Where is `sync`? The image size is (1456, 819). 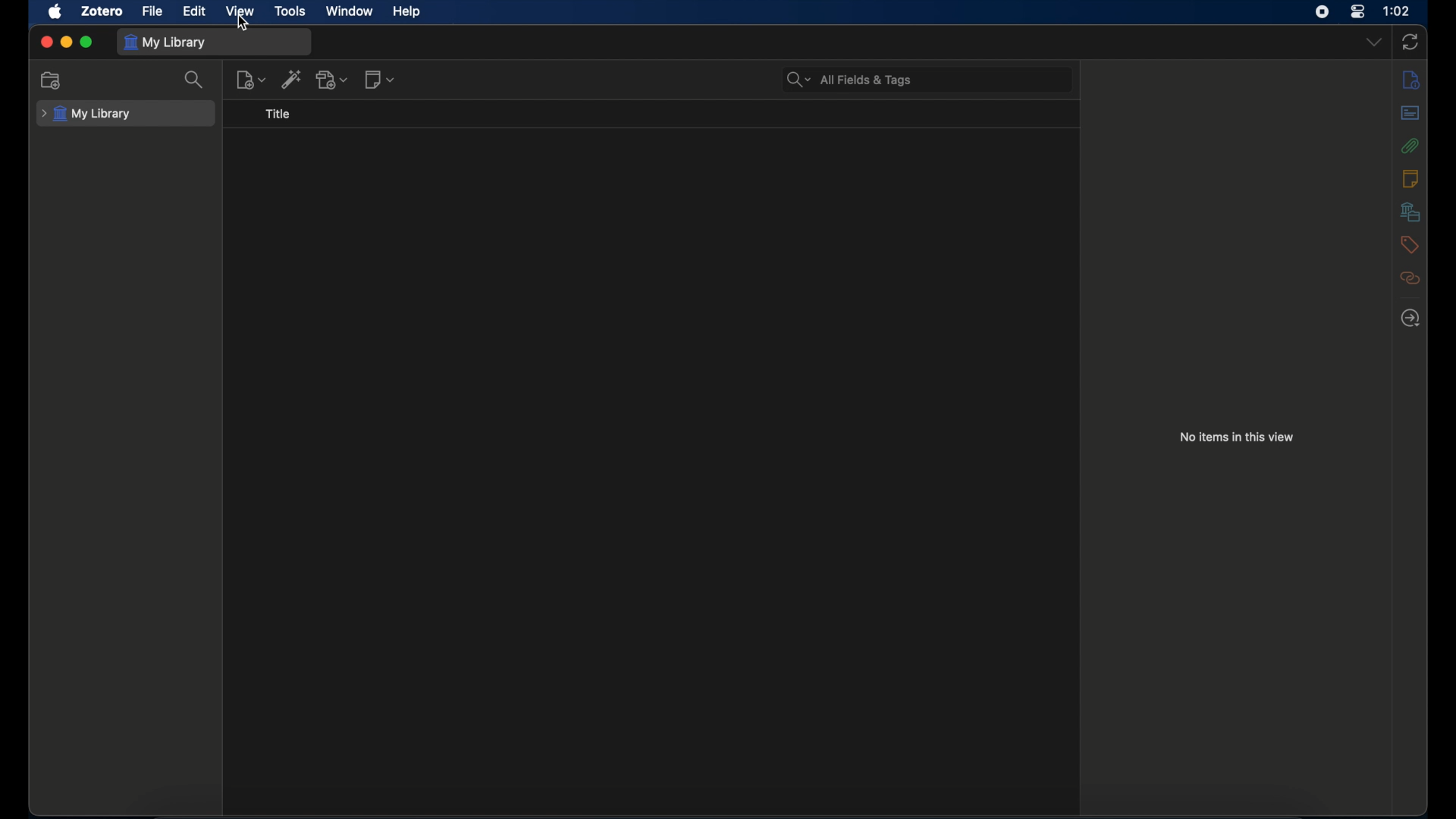 sync is located at coordinates (1411, 42).